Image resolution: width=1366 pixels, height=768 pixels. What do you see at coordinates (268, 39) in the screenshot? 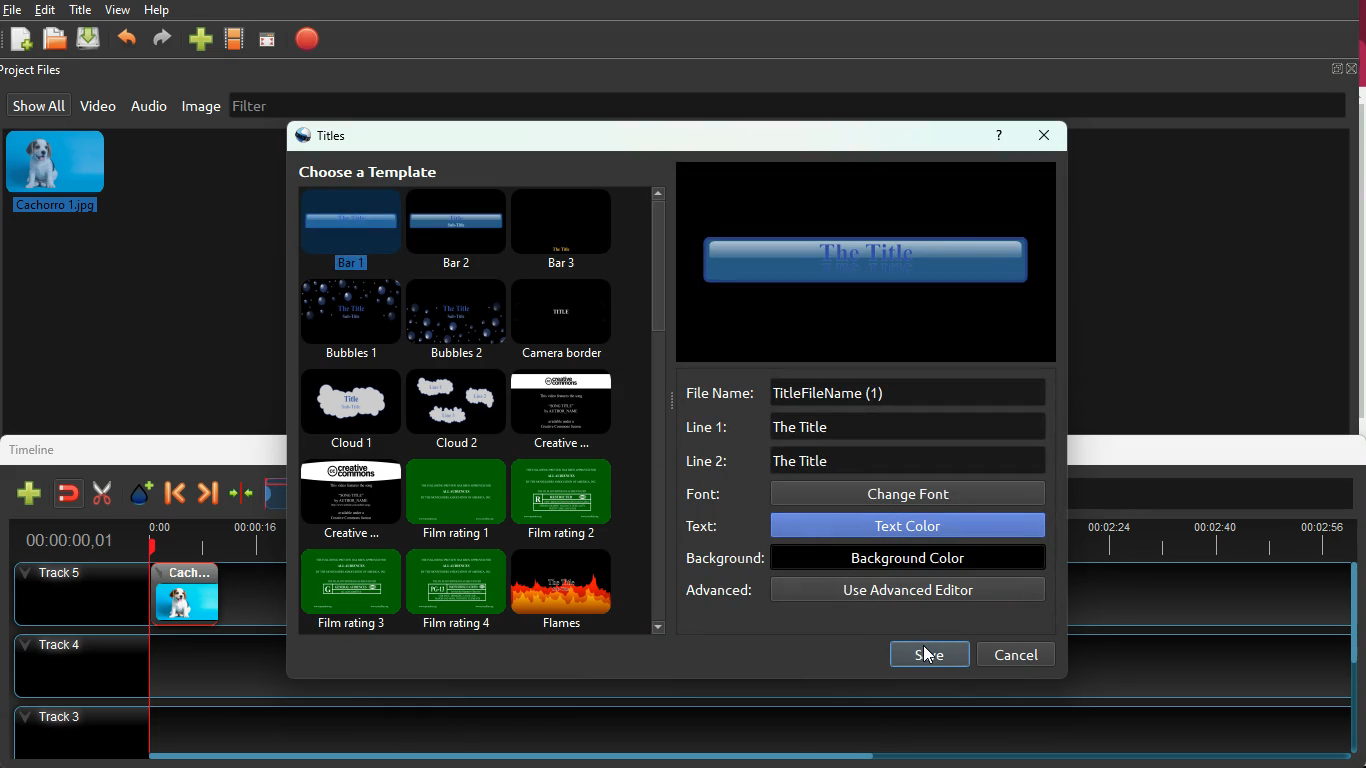
I see `focus` at bounding box center [268, 39].